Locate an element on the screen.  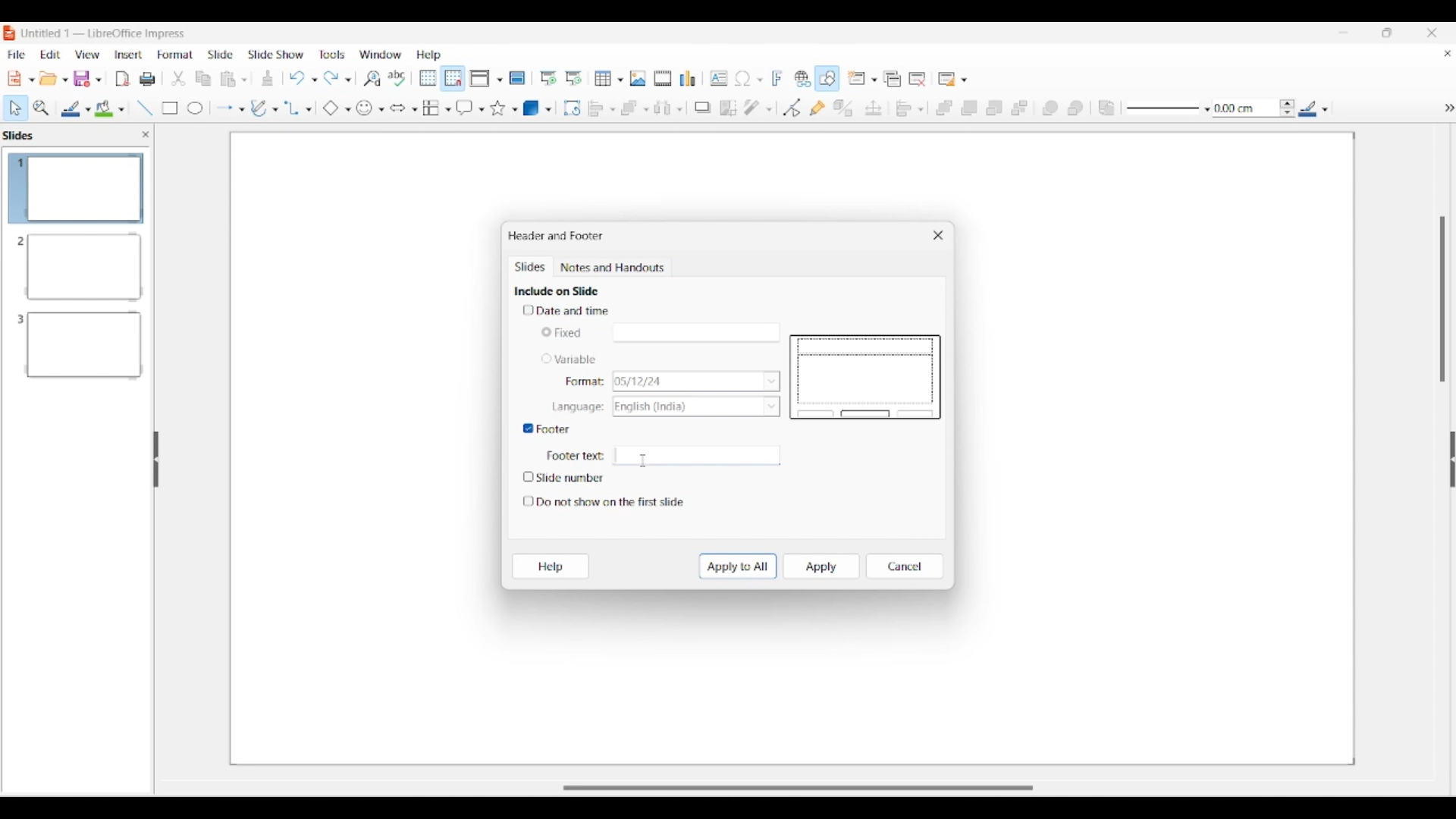
Help is located at coordinates (551, 566).